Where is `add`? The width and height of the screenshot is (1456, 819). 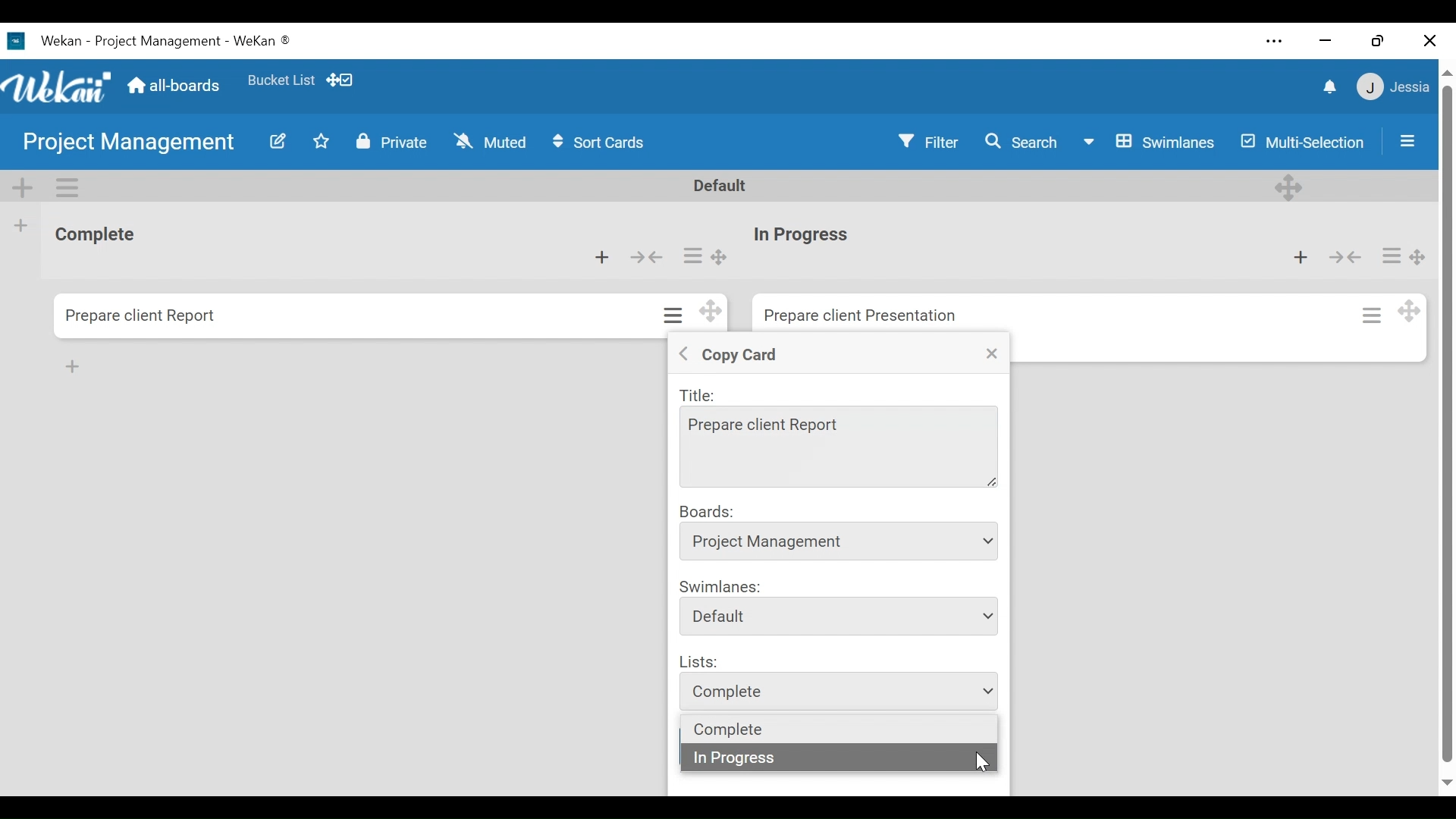 add is located at coordinates (75, 369).